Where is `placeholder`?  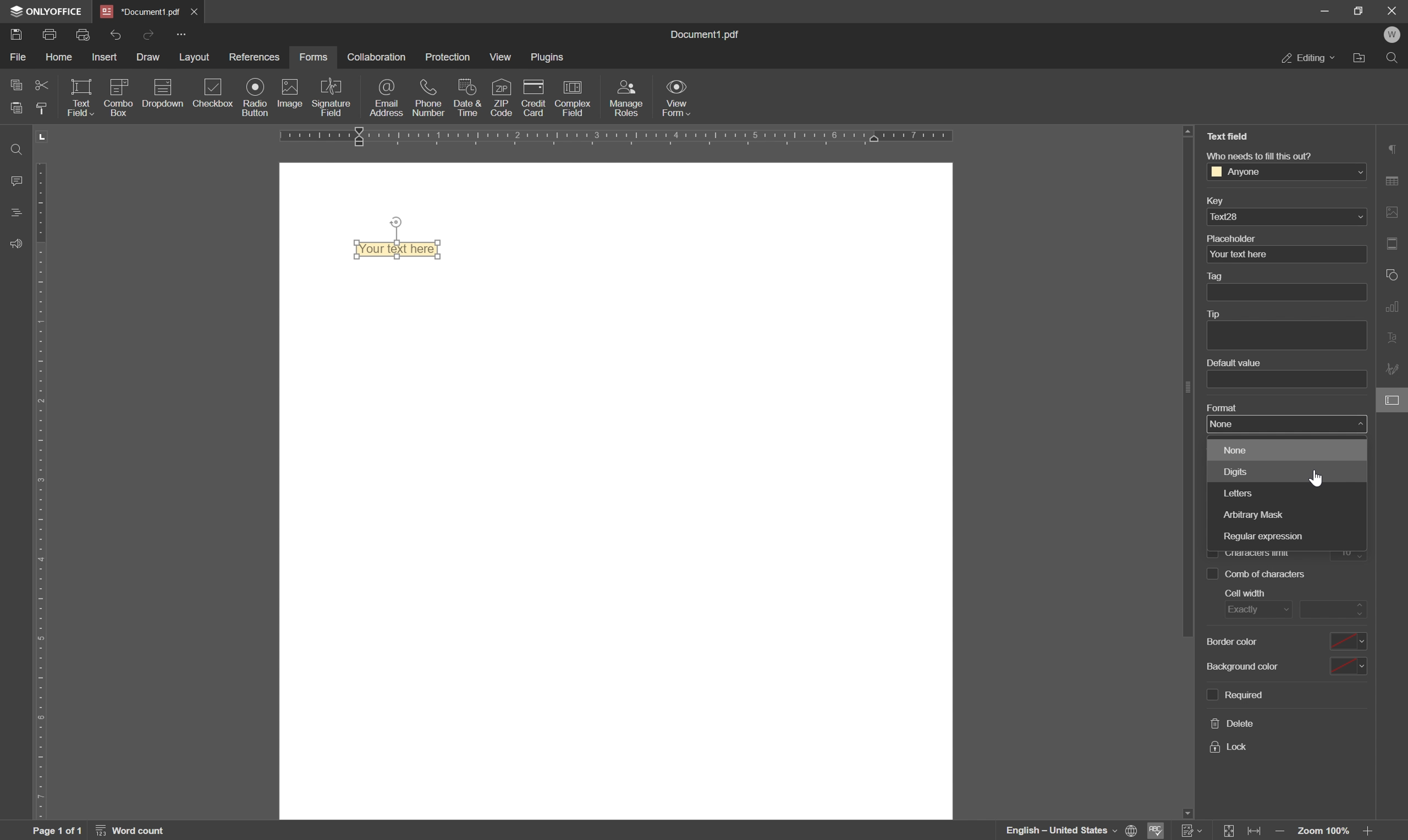
placeholder is located at coordinates (1231, 238).